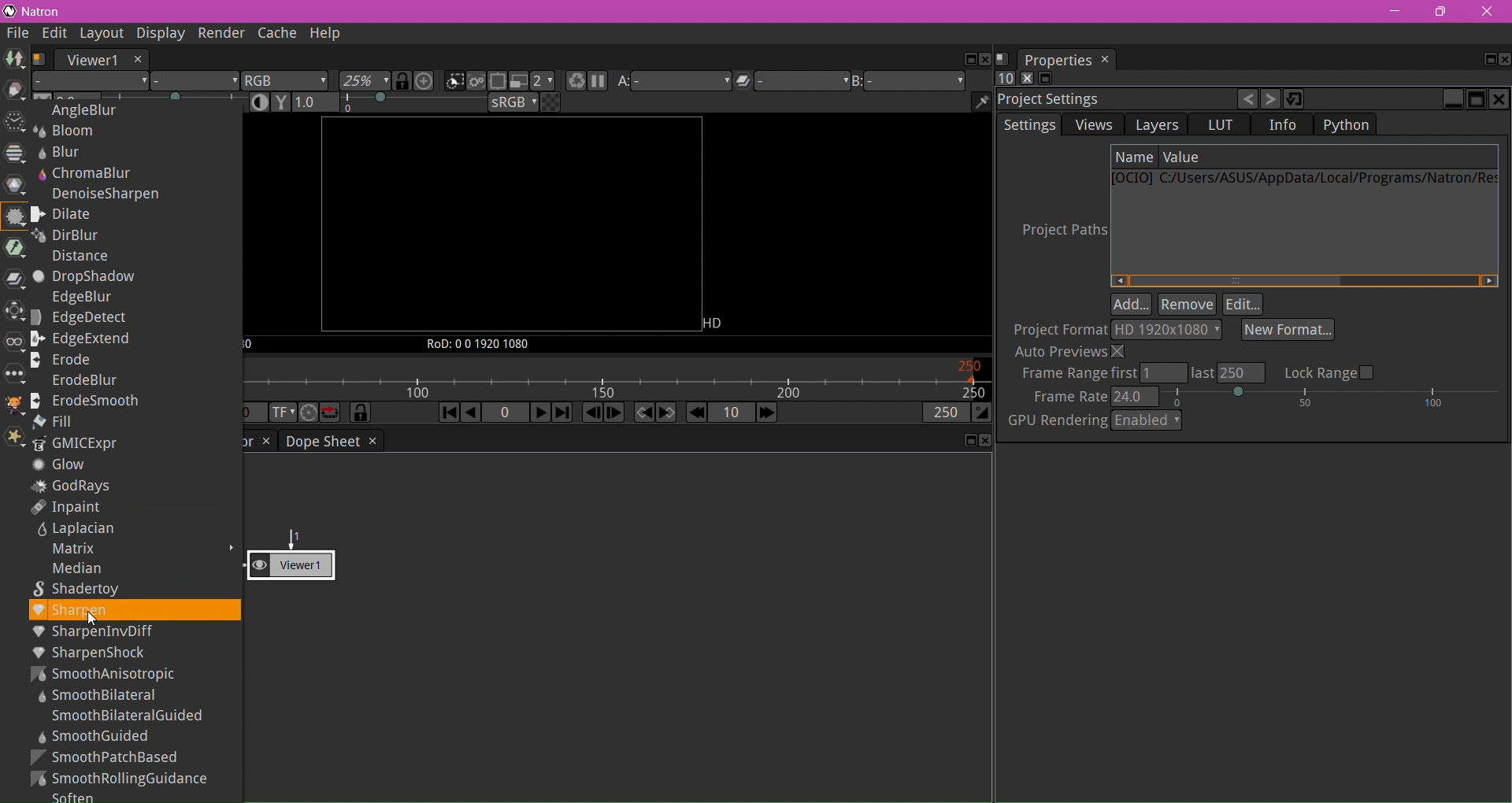  Describe the element at coordinates (91, 60) in the screenshot. I see `Viewer1` at that location.